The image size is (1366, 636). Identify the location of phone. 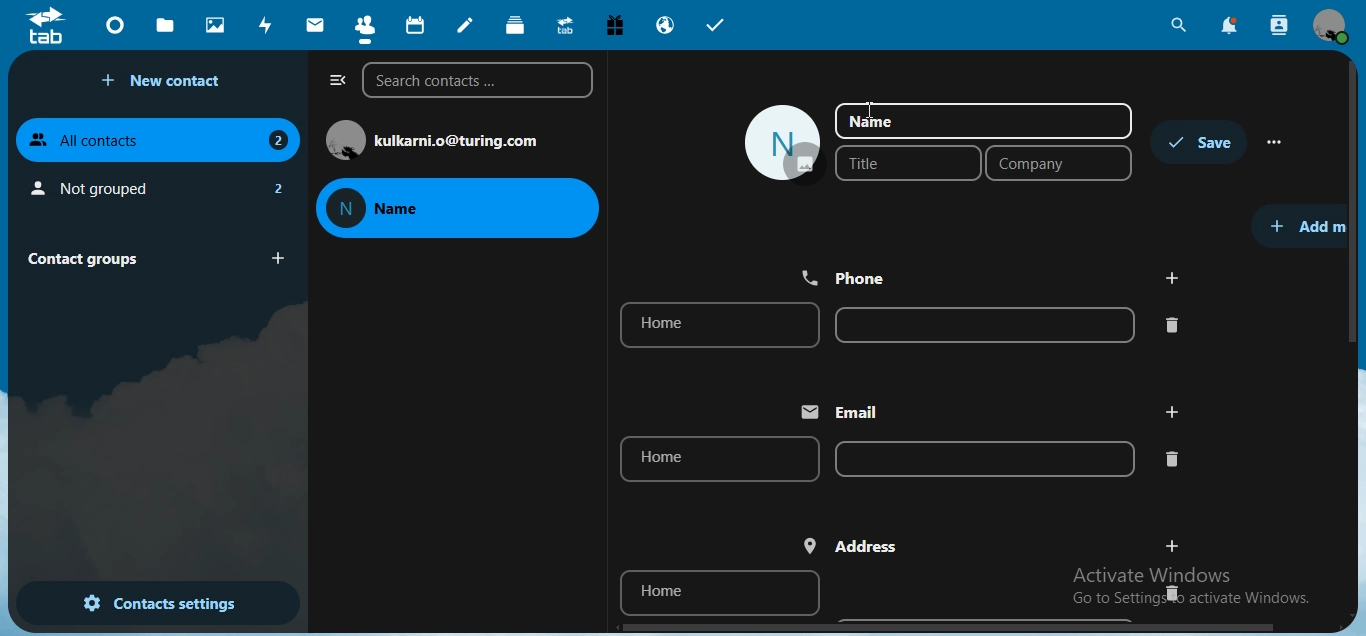
(849, 276).